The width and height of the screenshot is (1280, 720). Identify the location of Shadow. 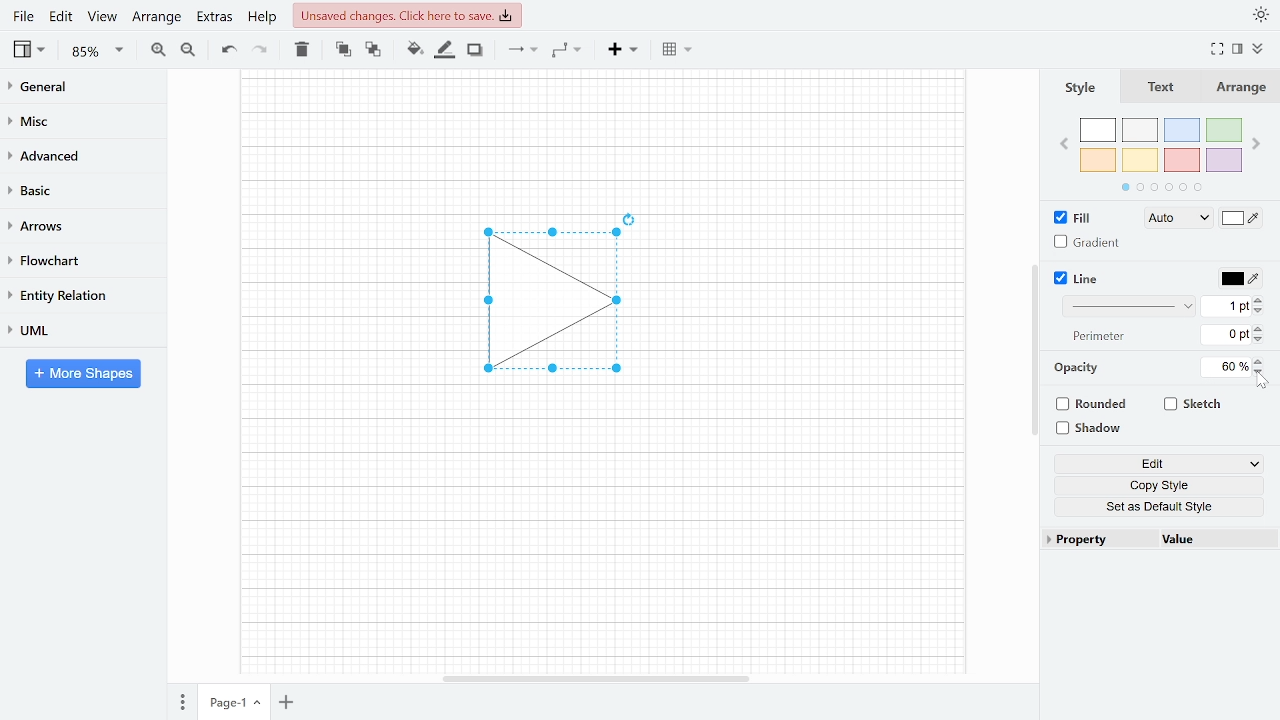
(1096, 429).